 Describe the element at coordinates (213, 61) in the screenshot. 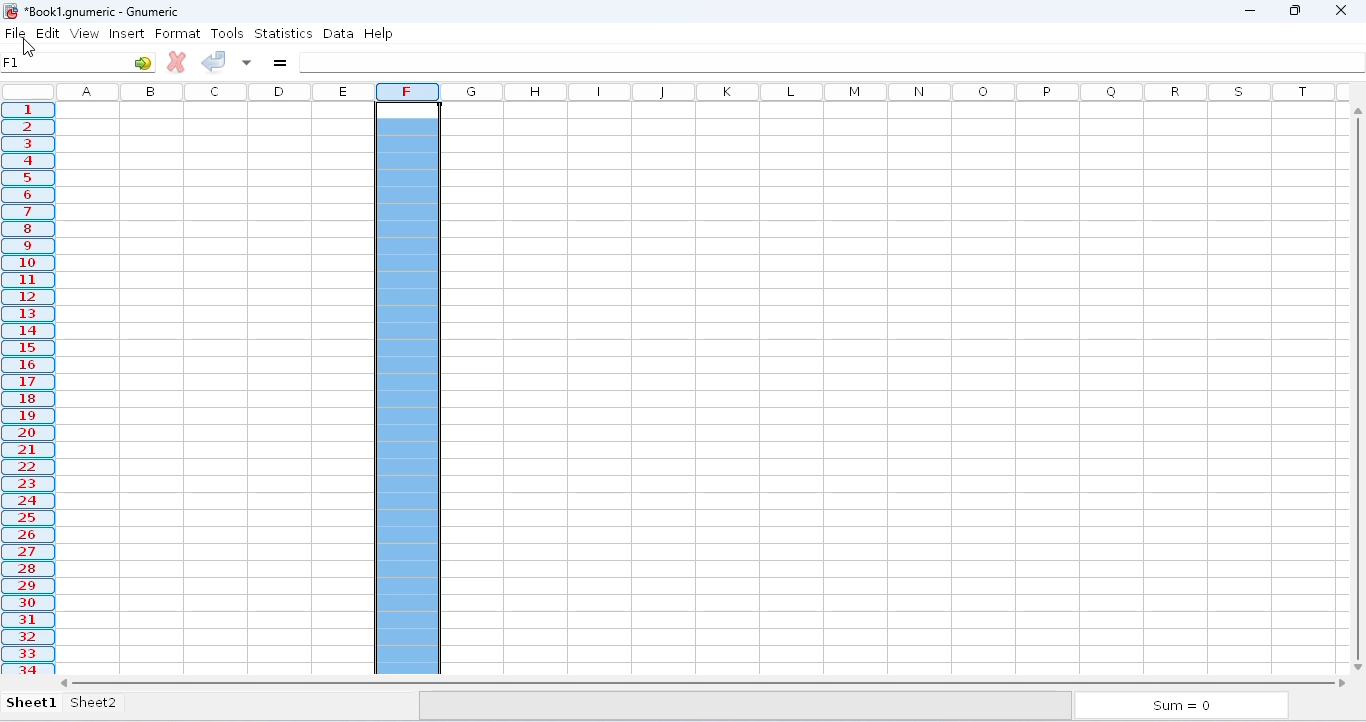

I see `accept change` at that location.